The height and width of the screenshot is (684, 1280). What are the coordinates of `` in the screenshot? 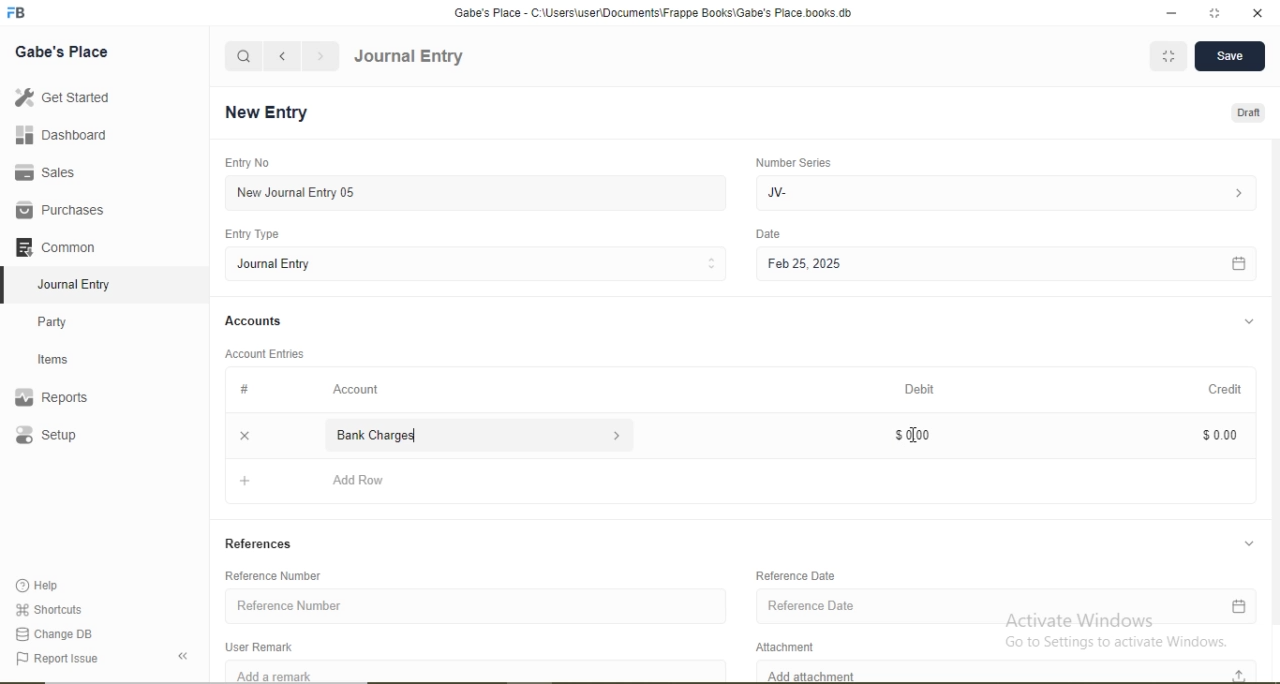 It's located at (246, 389).